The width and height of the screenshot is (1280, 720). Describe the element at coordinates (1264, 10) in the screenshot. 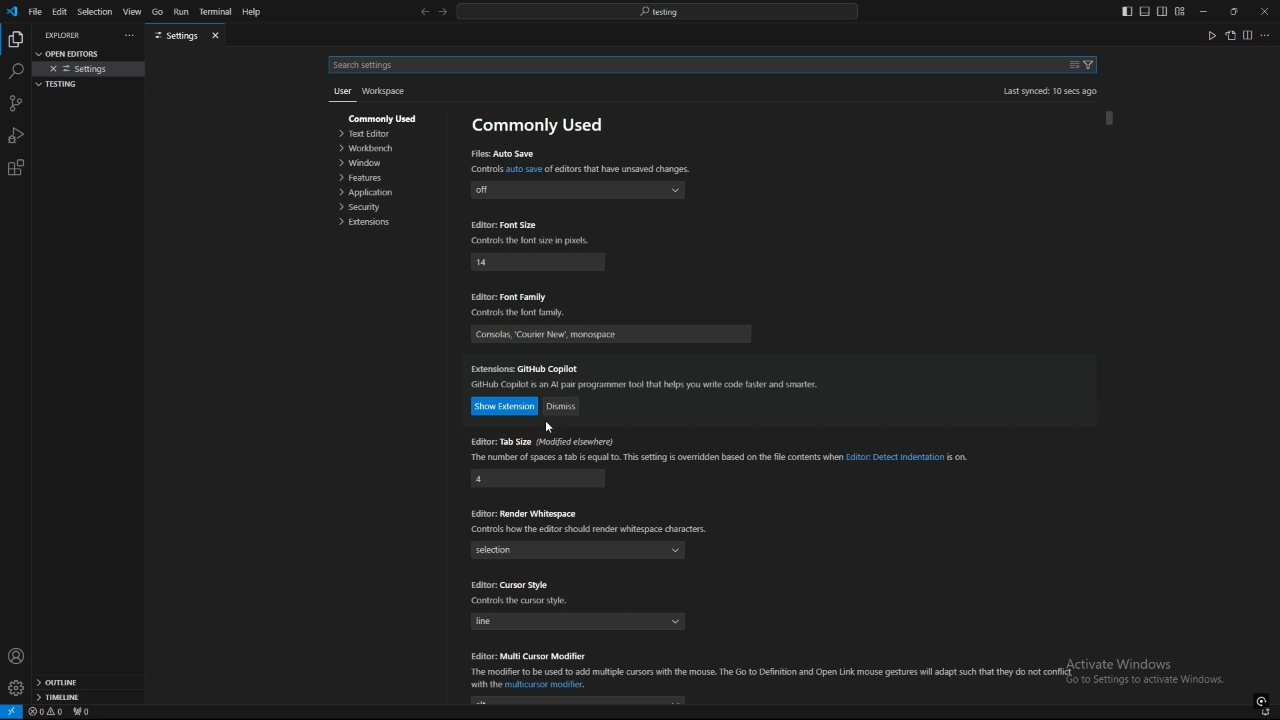

I see `close` at that location.